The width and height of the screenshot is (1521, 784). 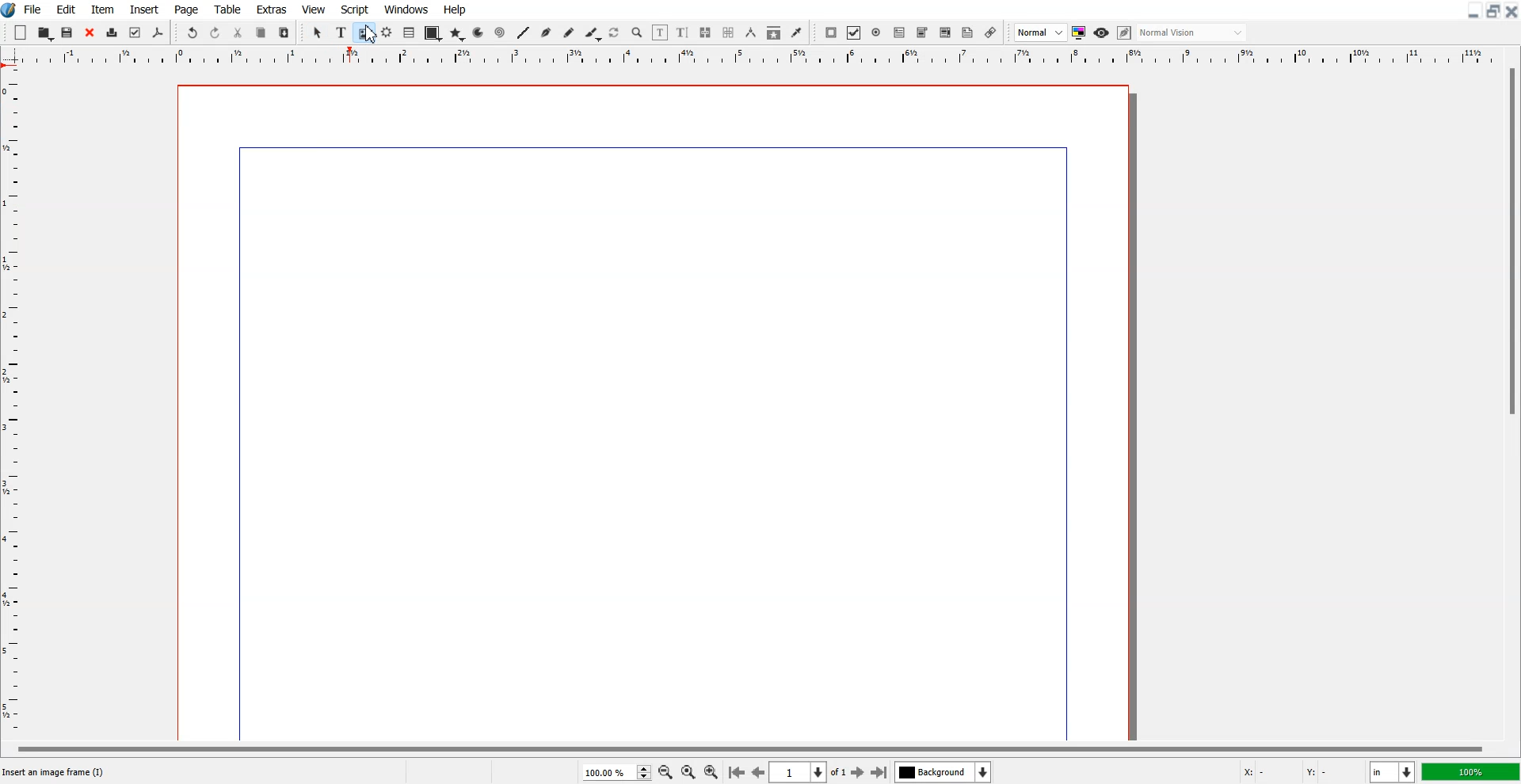 I want to click on PDF Radio Button, so click(x=876, y=32).